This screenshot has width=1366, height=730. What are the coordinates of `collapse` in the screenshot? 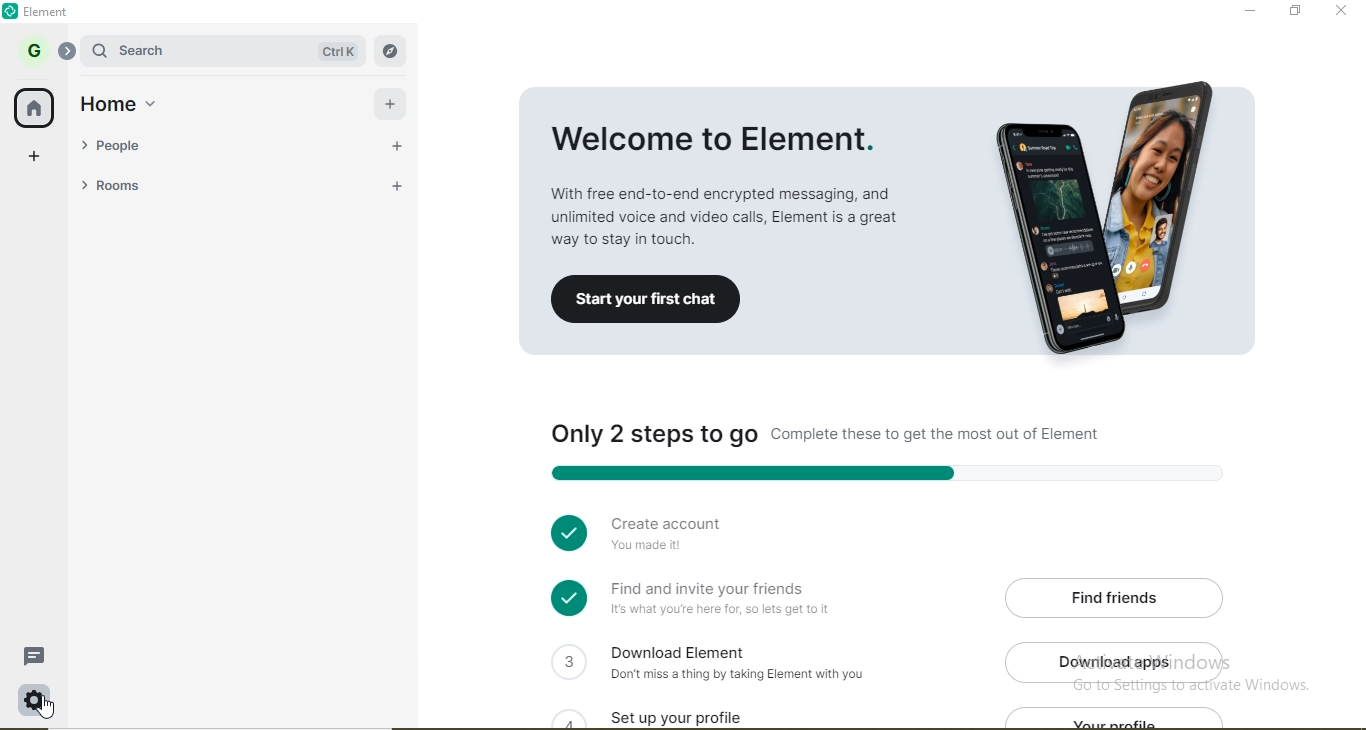 It's located at (68, 51).